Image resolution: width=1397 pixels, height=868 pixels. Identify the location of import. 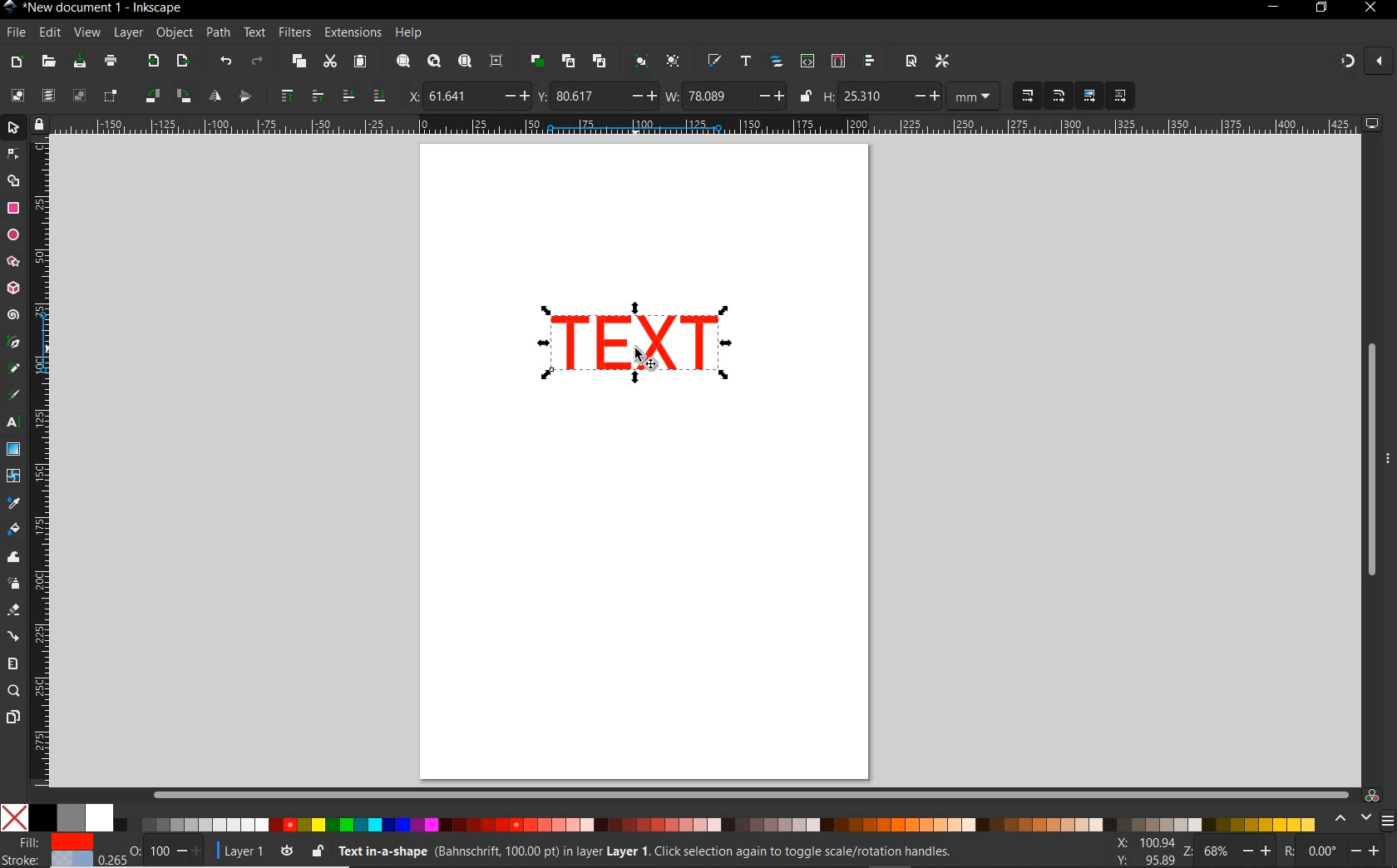
(152, 62).